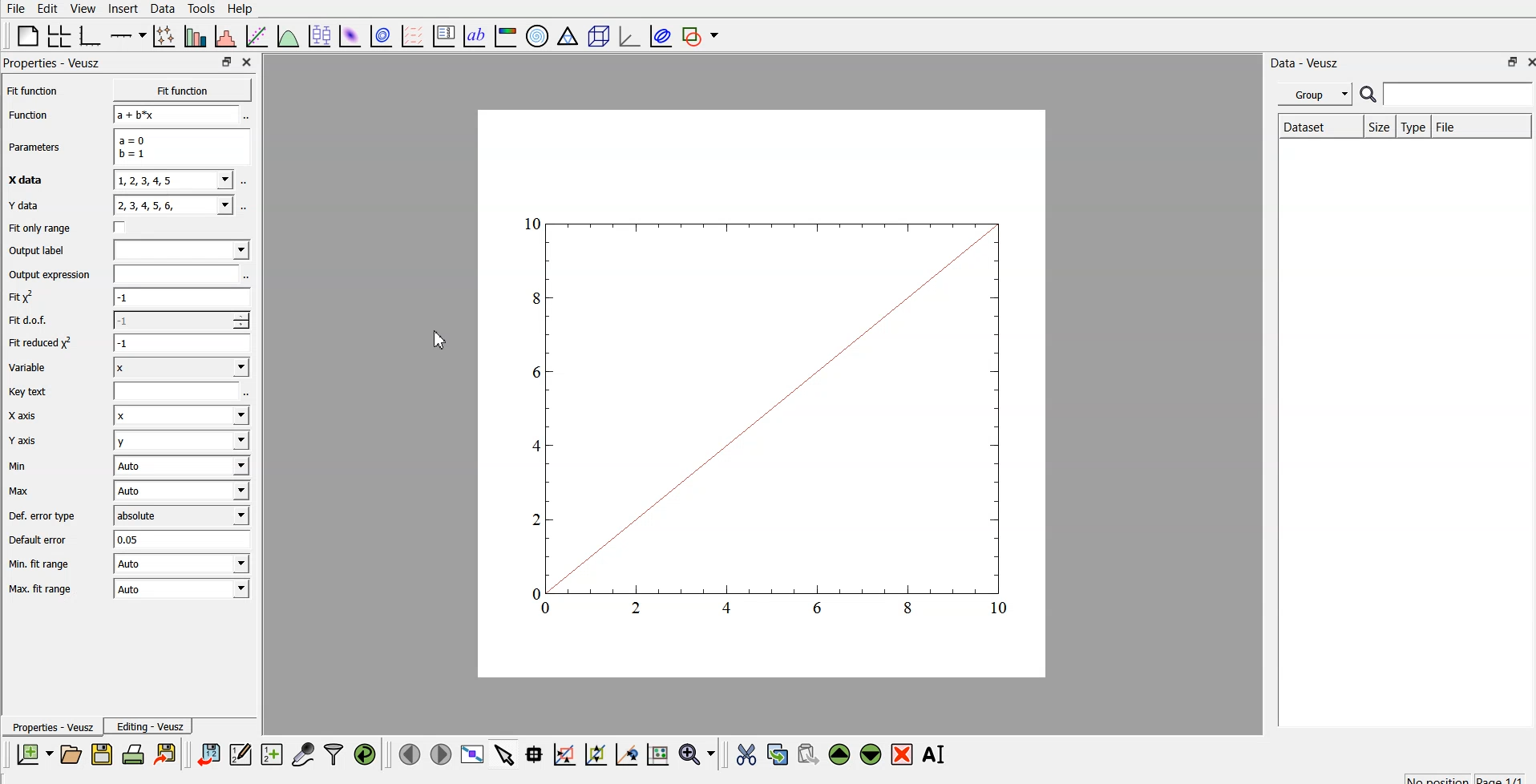 This screenshot has height=784, width=1536. What do you see at coordinates (39, 342) in the screenshot?
I see `| Fit reduced x^2` at bounding box center [39, 342].